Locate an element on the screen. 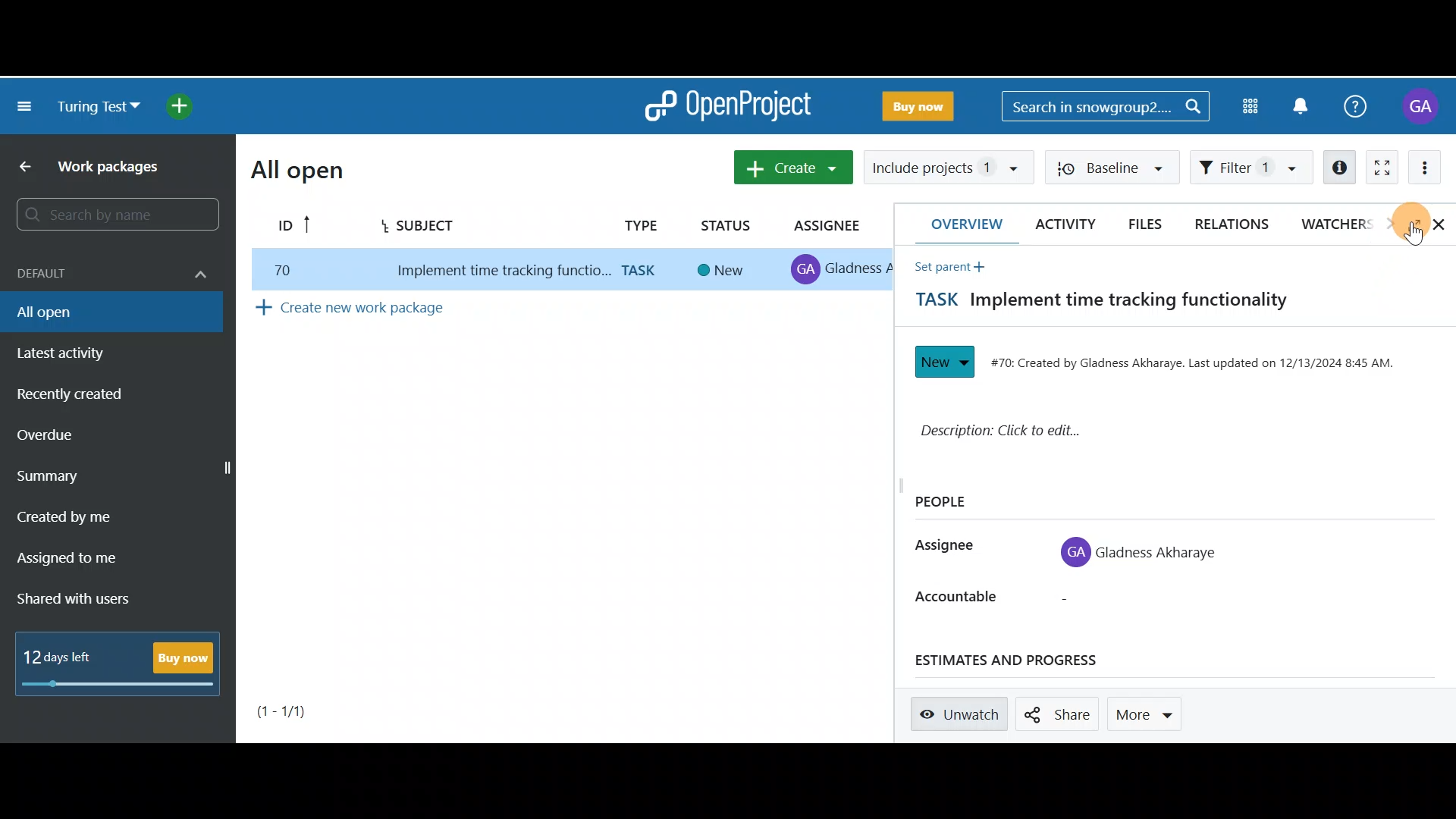 The height and width of the screenshot is (819, 1456). Collapse project menu is located at coordinates (26, 108).